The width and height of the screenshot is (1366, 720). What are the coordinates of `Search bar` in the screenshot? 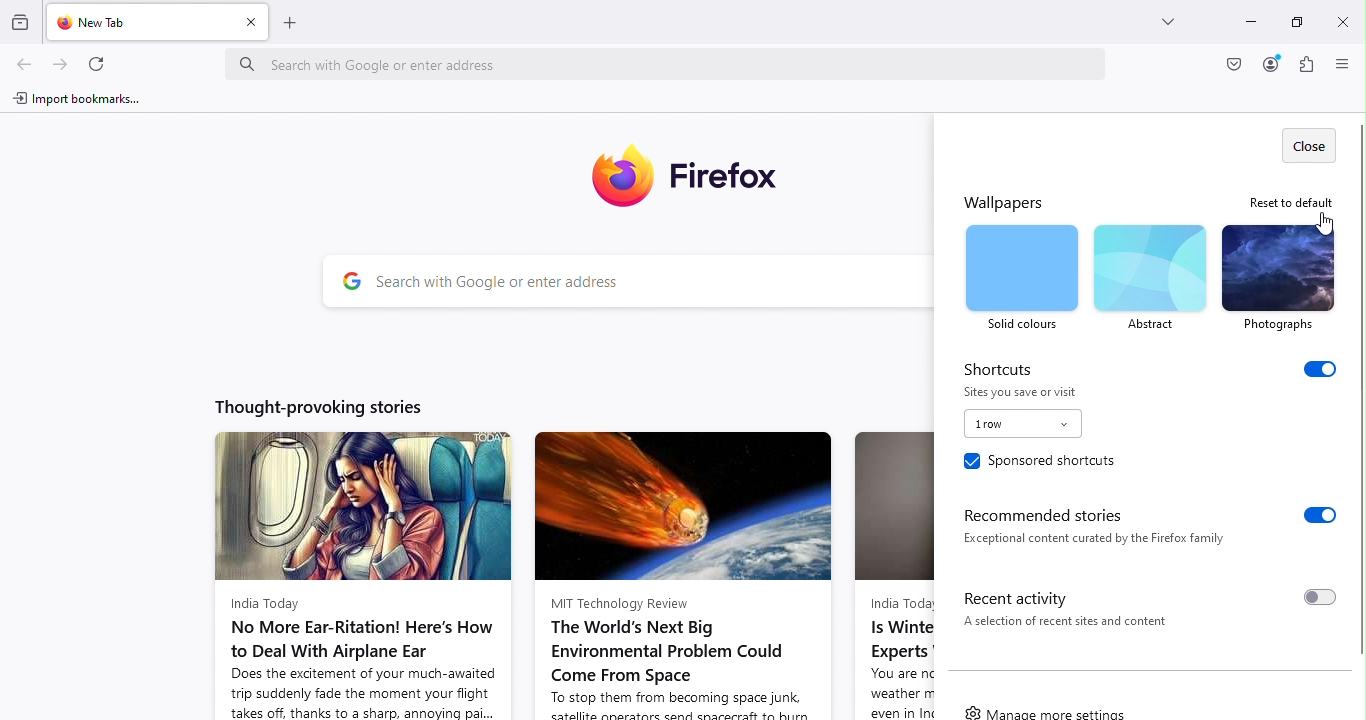 It's located at (672, 58).